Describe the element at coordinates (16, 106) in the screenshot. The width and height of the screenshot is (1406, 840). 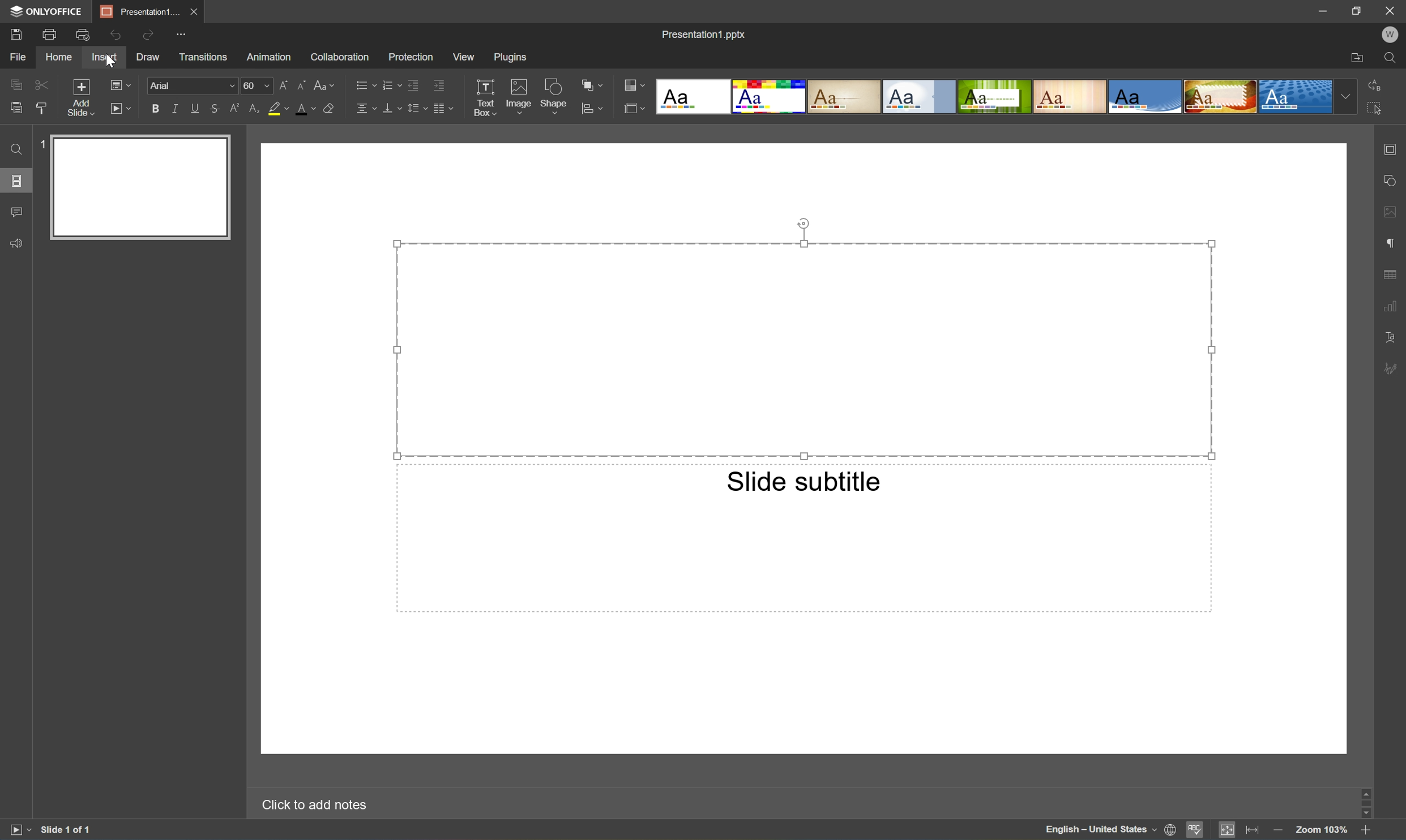
I see `Paste` at that location.